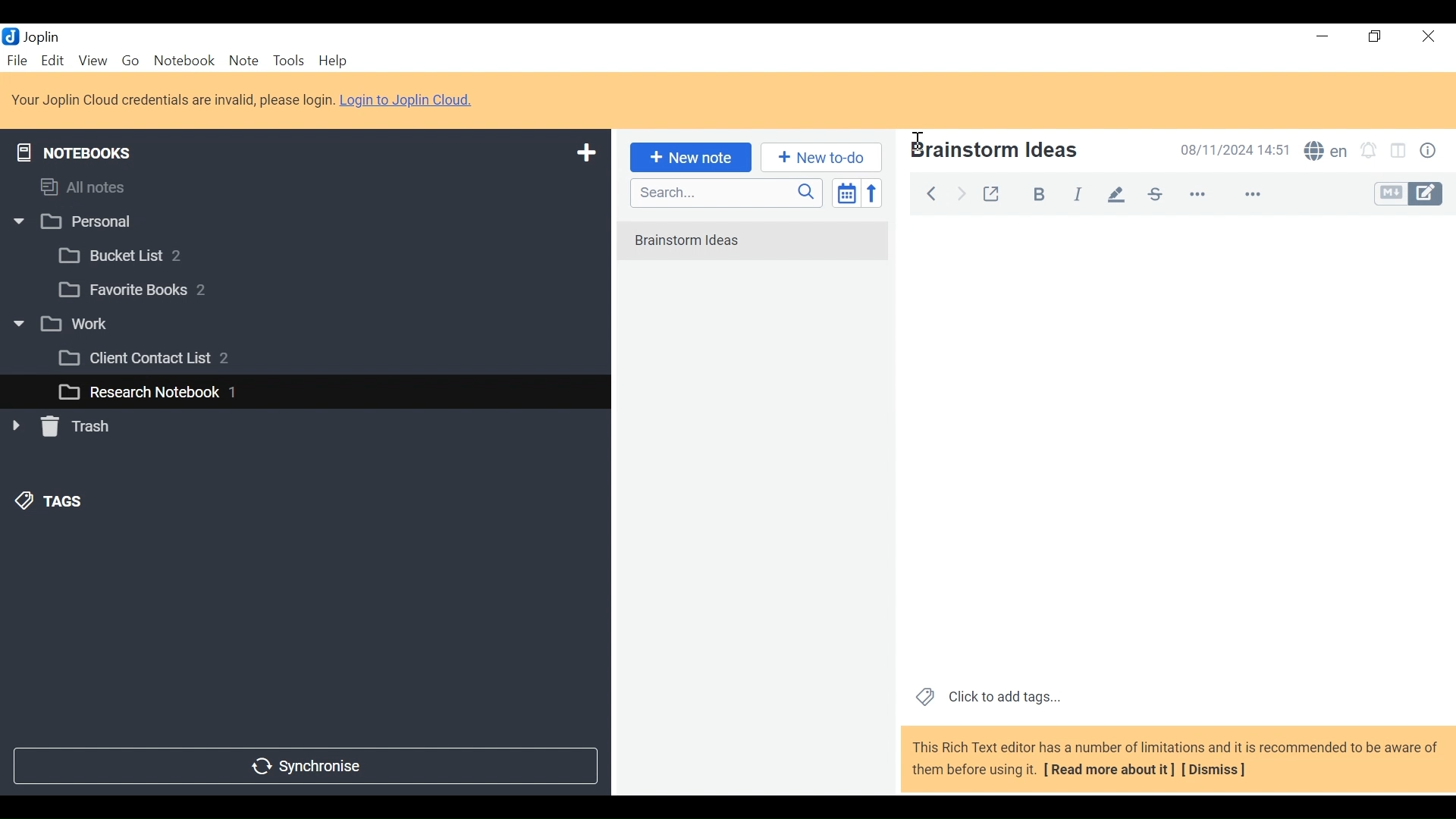  Describe the element at coordinates (172, 100) in the screenshot. I see `Login to Joplin Cloud` at that location.